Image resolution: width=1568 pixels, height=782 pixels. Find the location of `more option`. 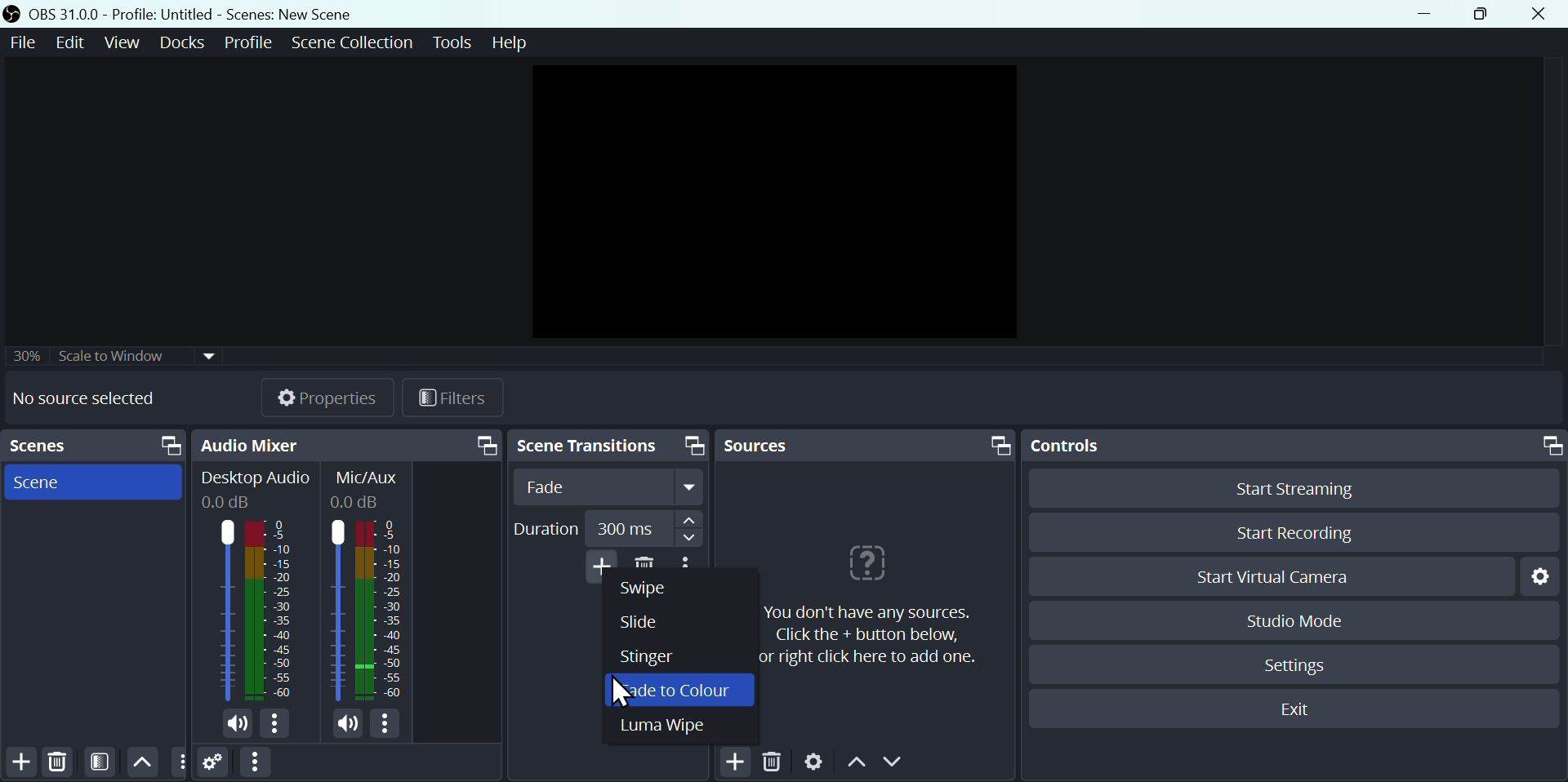

more option is located at coordinates (180, 762).